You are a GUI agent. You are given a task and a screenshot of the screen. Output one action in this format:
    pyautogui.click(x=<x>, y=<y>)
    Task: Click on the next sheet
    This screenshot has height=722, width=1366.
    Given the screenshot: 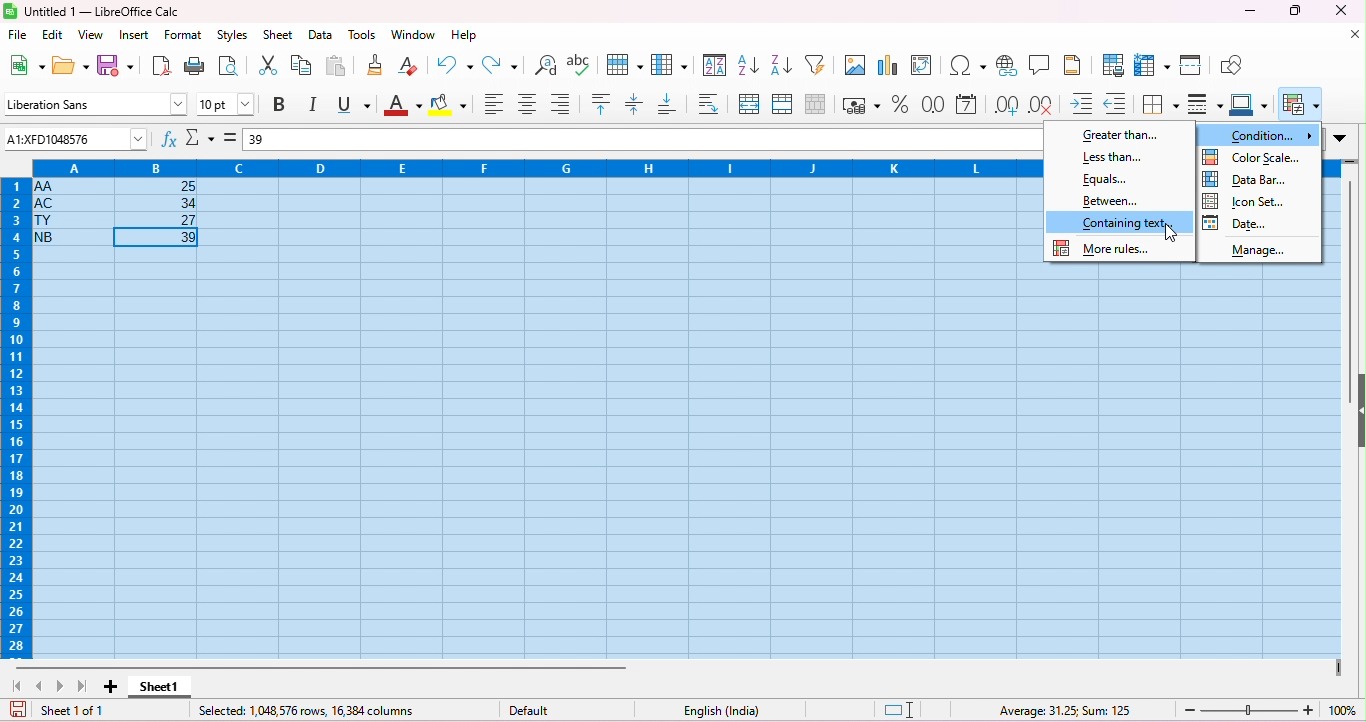 What is the action you would take?
    pyautogui.click(x=63, y=686)
    